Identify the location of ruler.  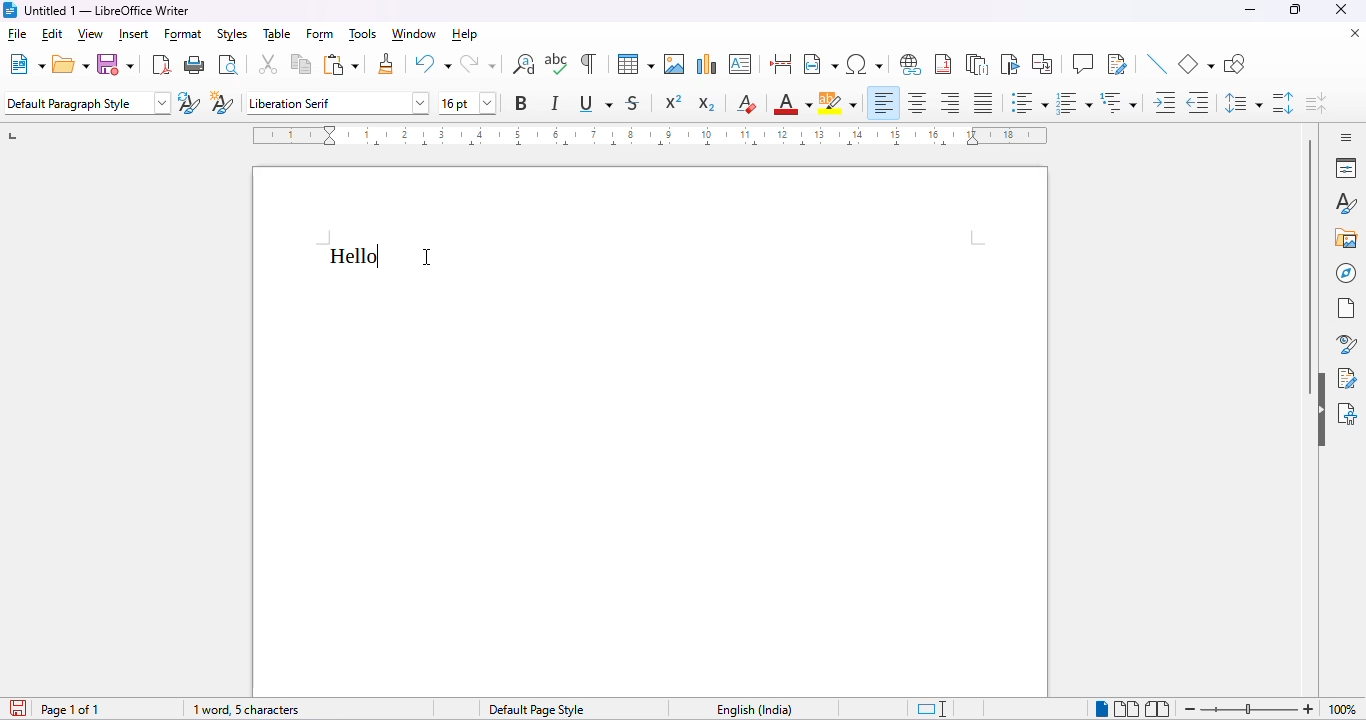
(650, 136).